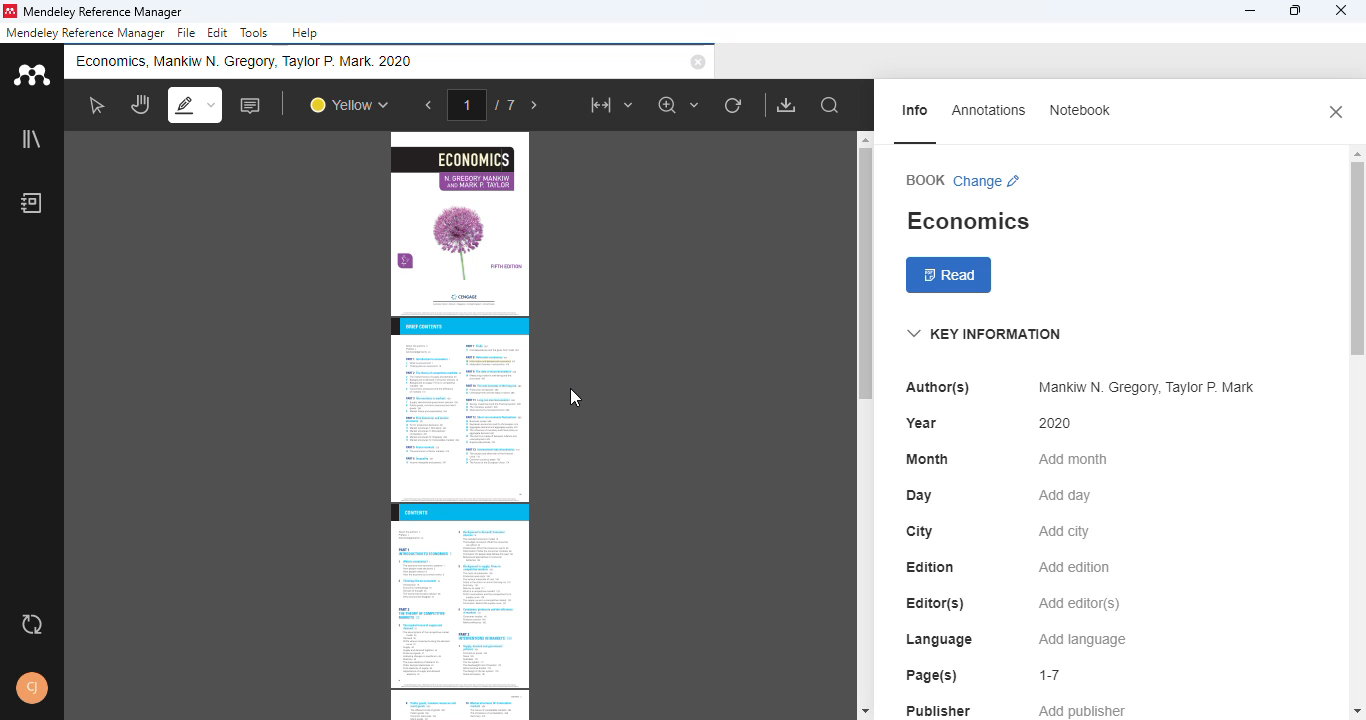  Describe the element at coordinates (919, 531) in the screenshot. I see `city` at that location.